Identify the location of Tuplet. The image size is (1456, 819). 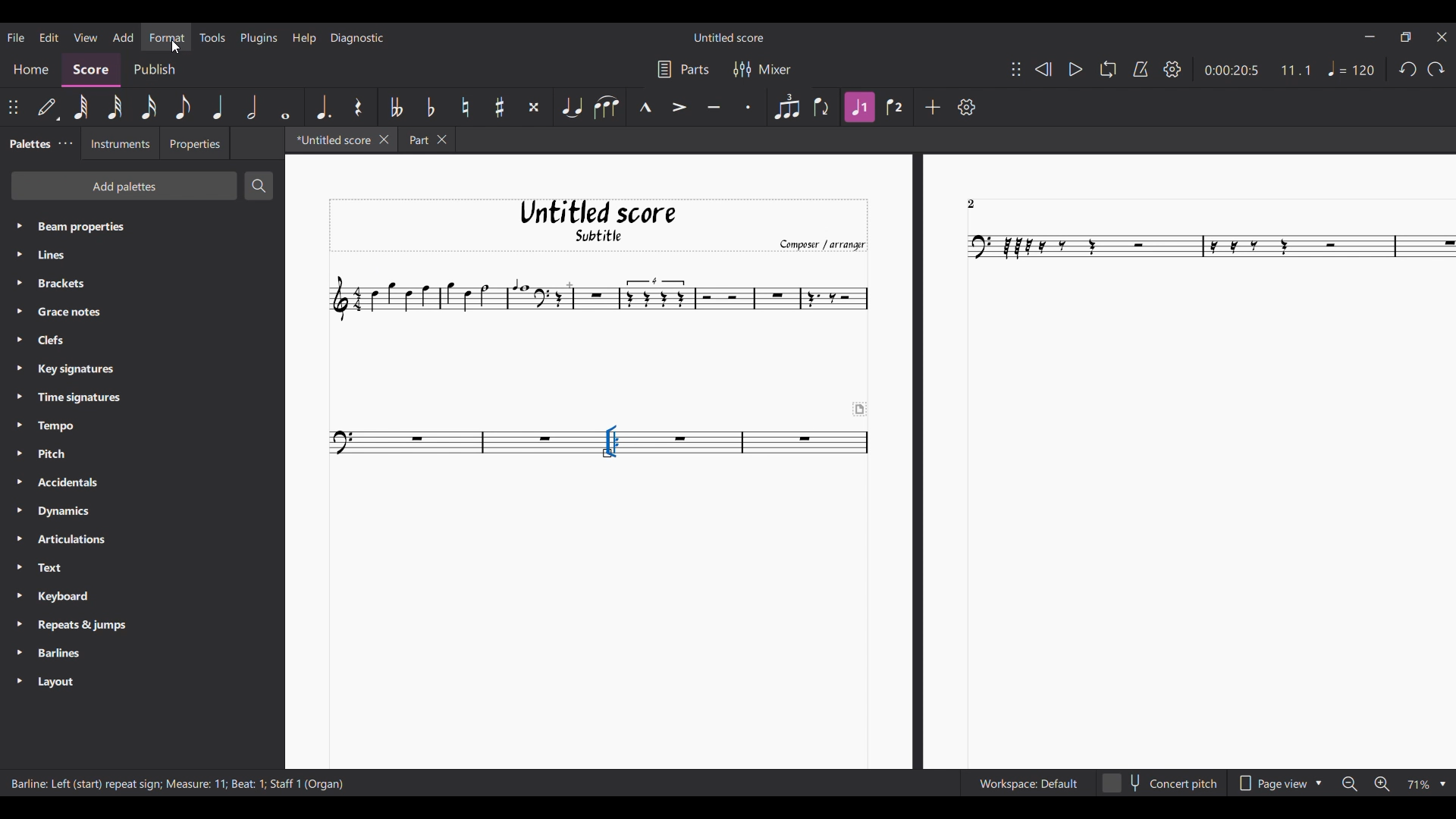
(787, 106).